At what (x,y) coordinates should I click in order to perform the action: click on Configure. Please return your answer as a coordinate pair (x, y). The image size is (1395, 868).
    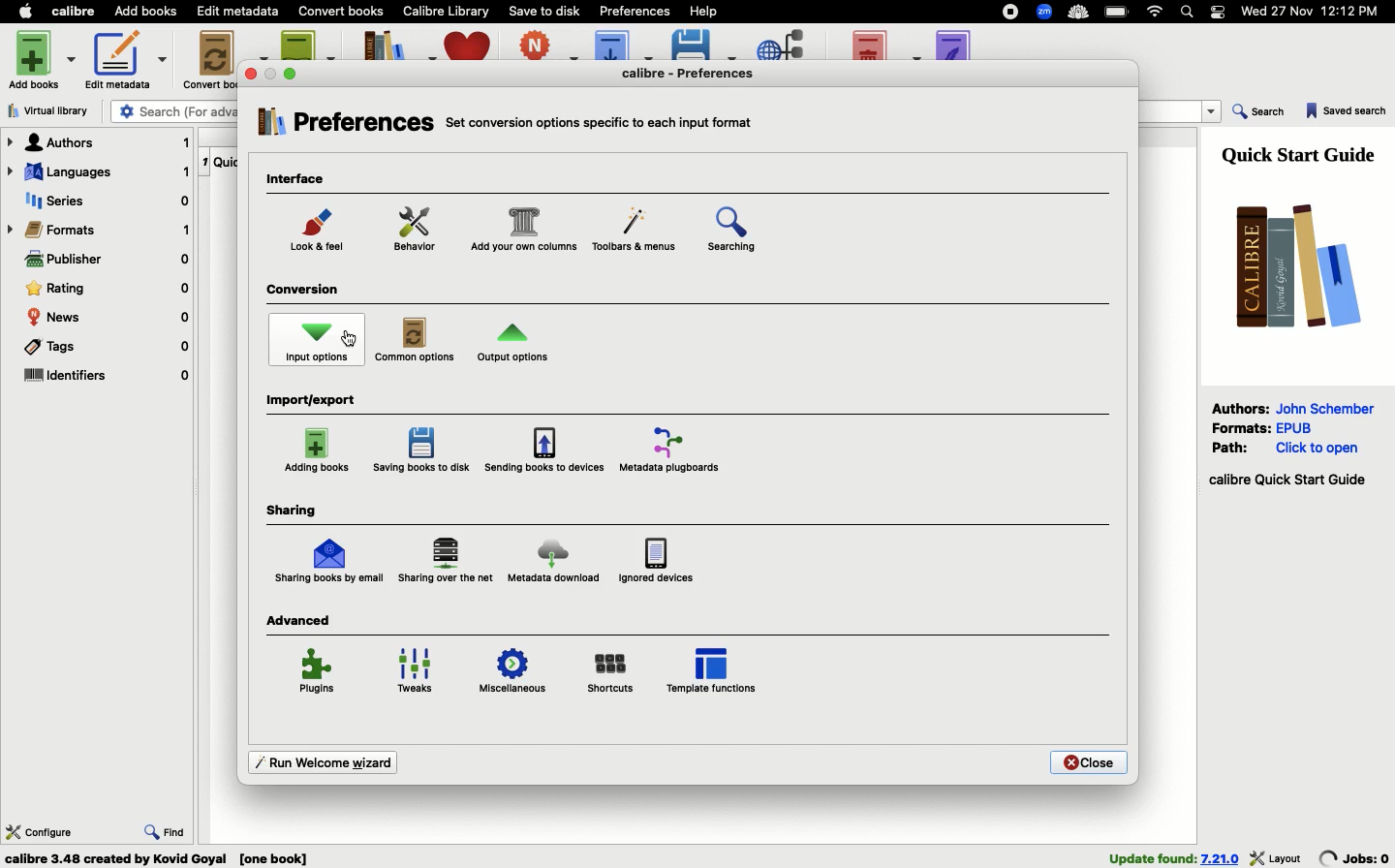
    Looking at the image, I should click on (40, 830).